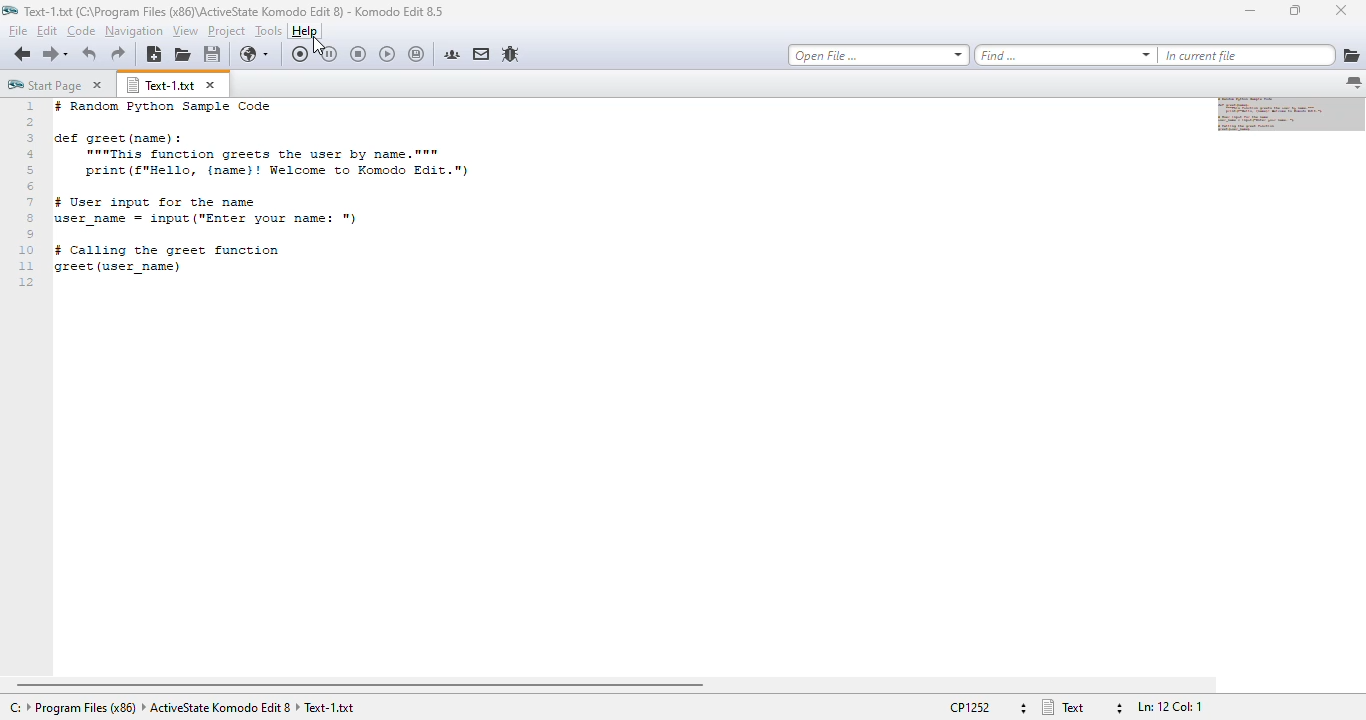 This screenshot has height=720, width=1366. Describe the element at coordinates (234, 11) in the screenshot. I see `text-1 program file` at that location.